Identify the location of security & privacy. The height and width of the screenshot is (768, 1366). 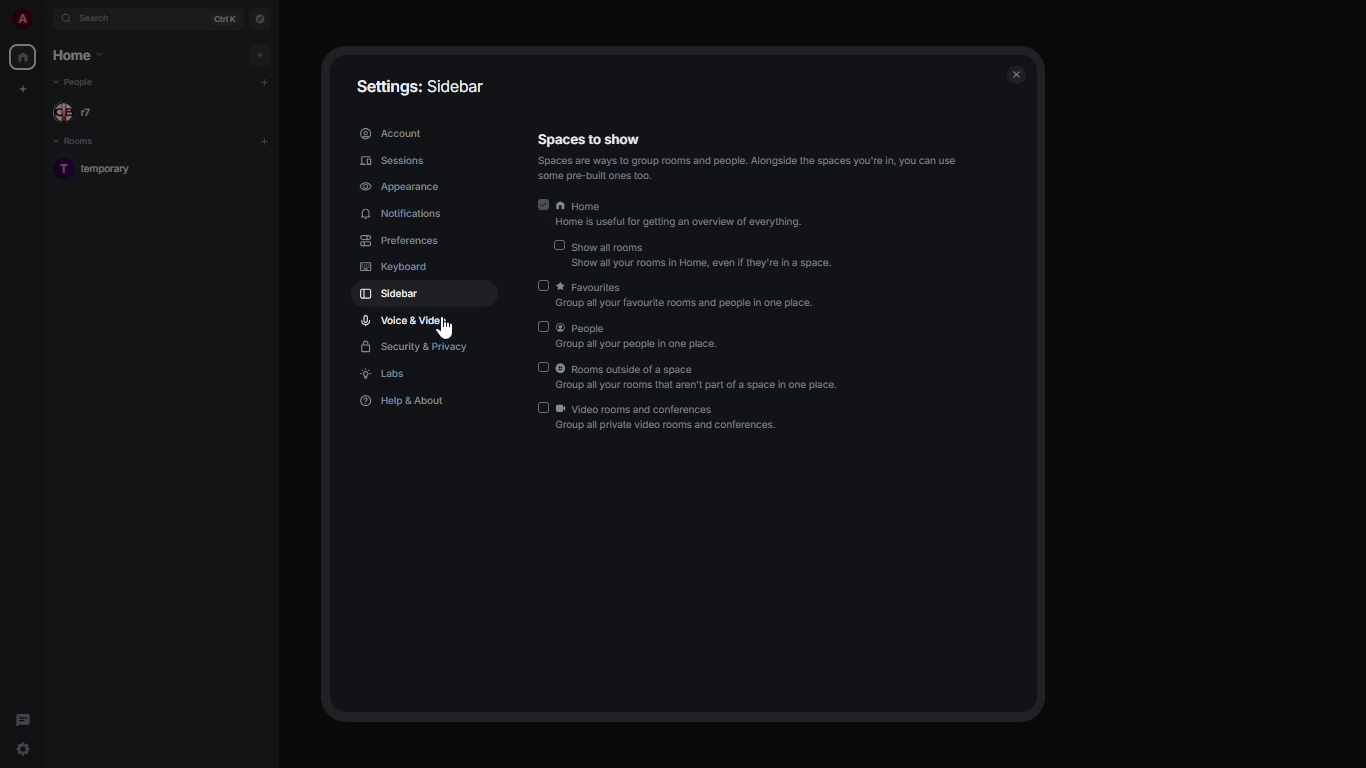
(414, 348).